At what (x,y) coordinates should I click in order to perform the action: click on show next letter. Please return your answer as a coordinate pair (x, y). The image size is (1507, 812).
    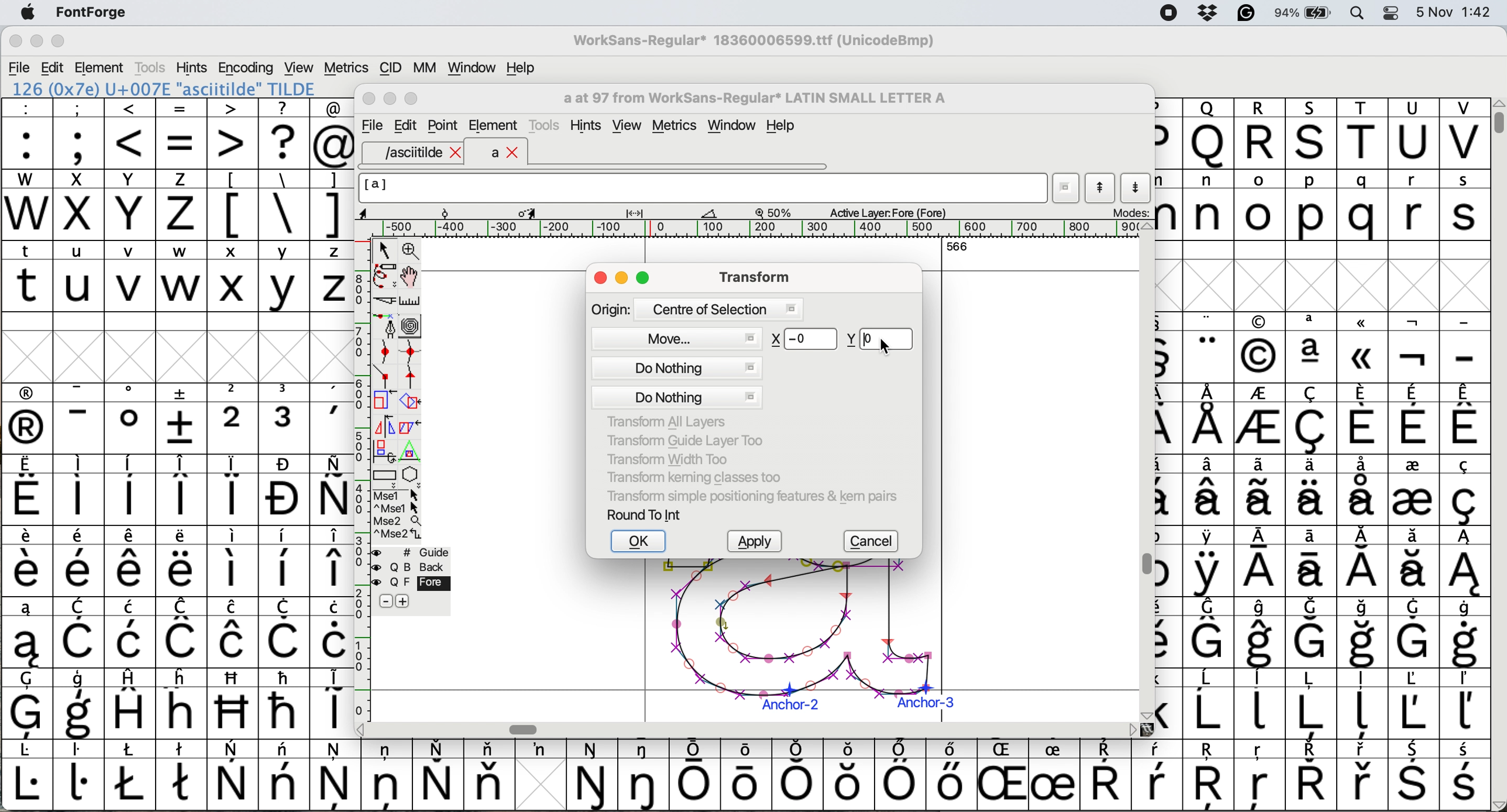
    Looking at the image, I should click on (1138, 187).